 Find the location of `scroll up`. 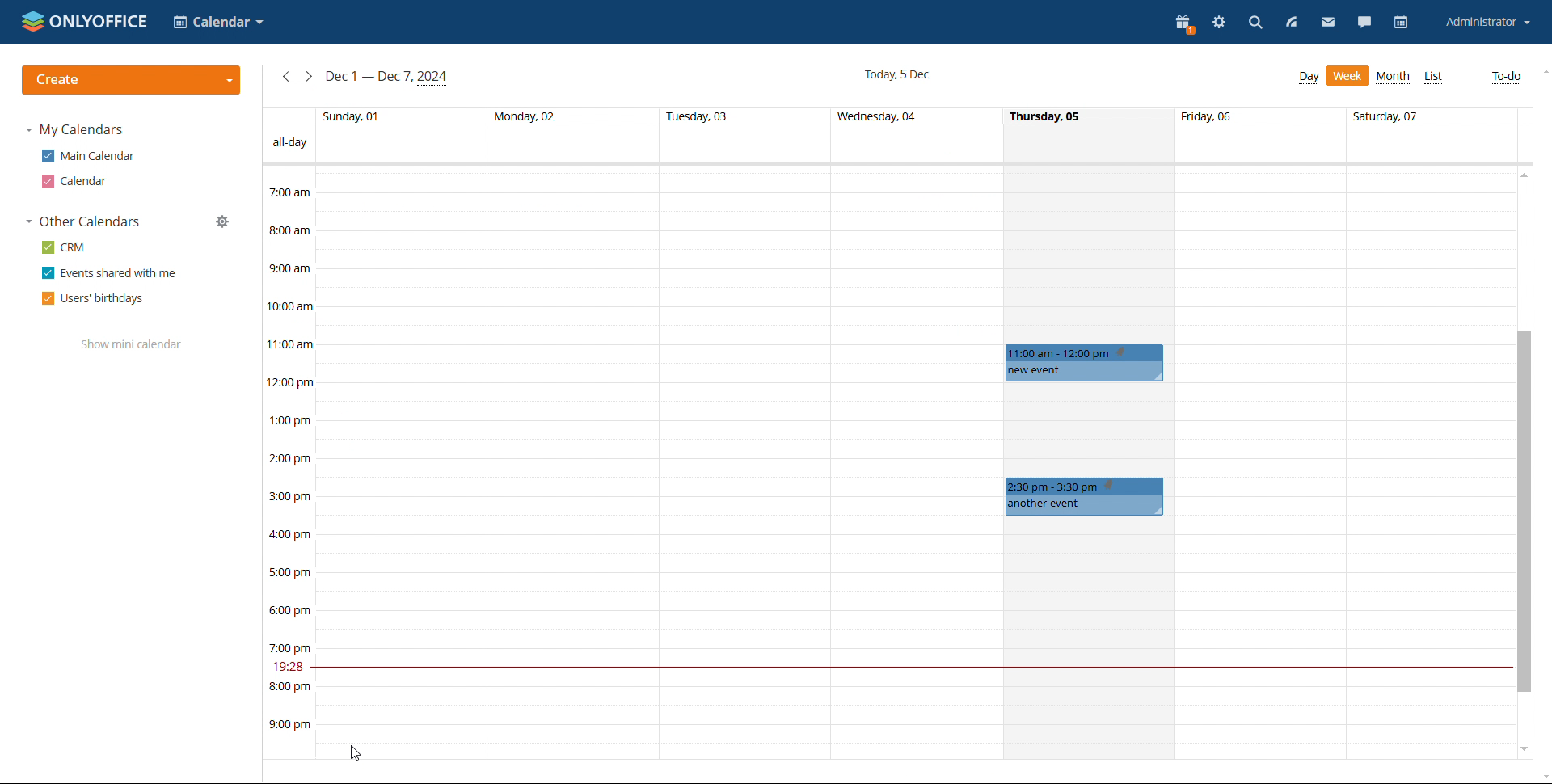

scroll up is located at coordinates (1542, 72).